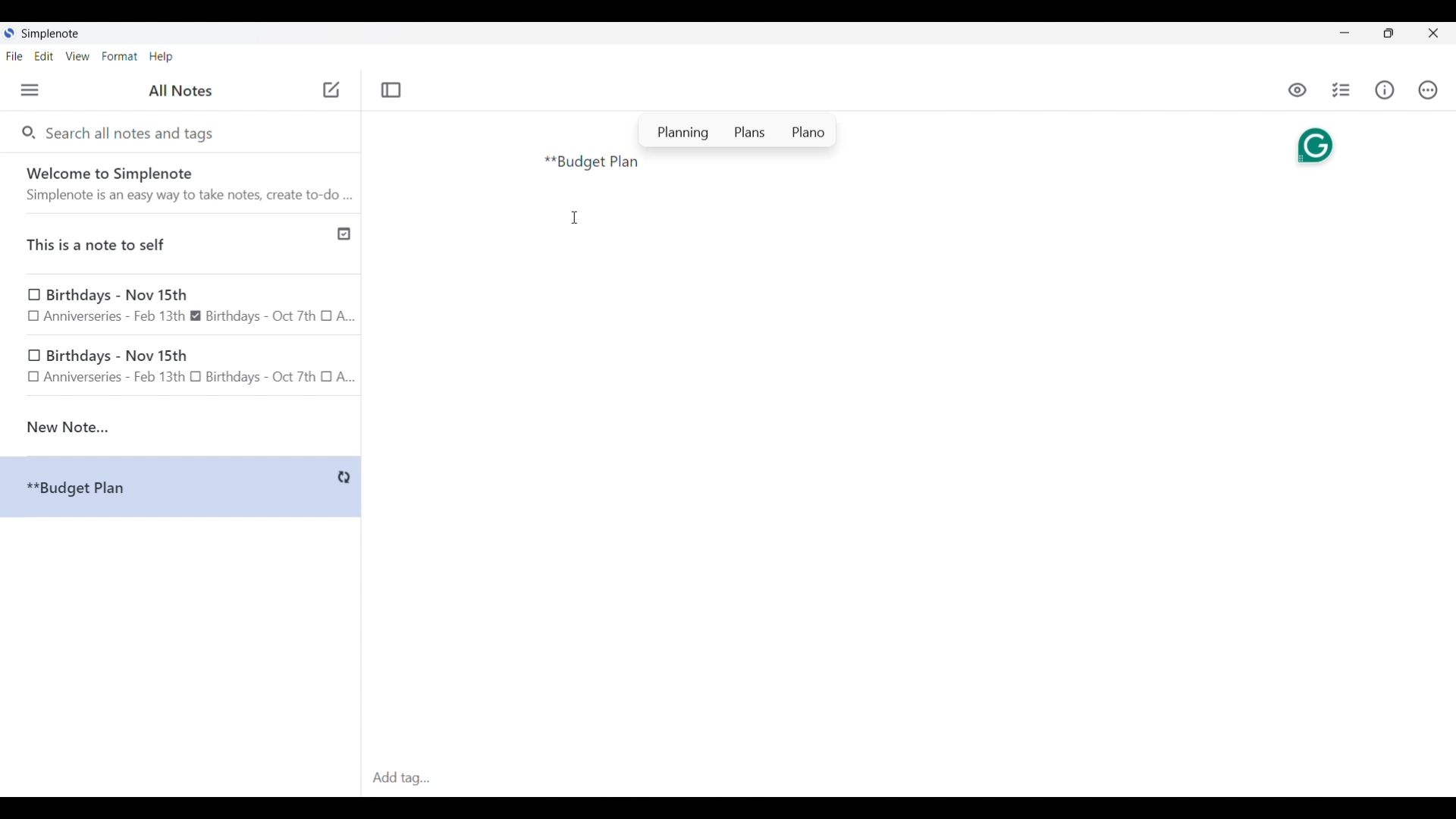  Describe the element at coordinates (180, 487) in the screenshot. I see `Note text changed` at that location.